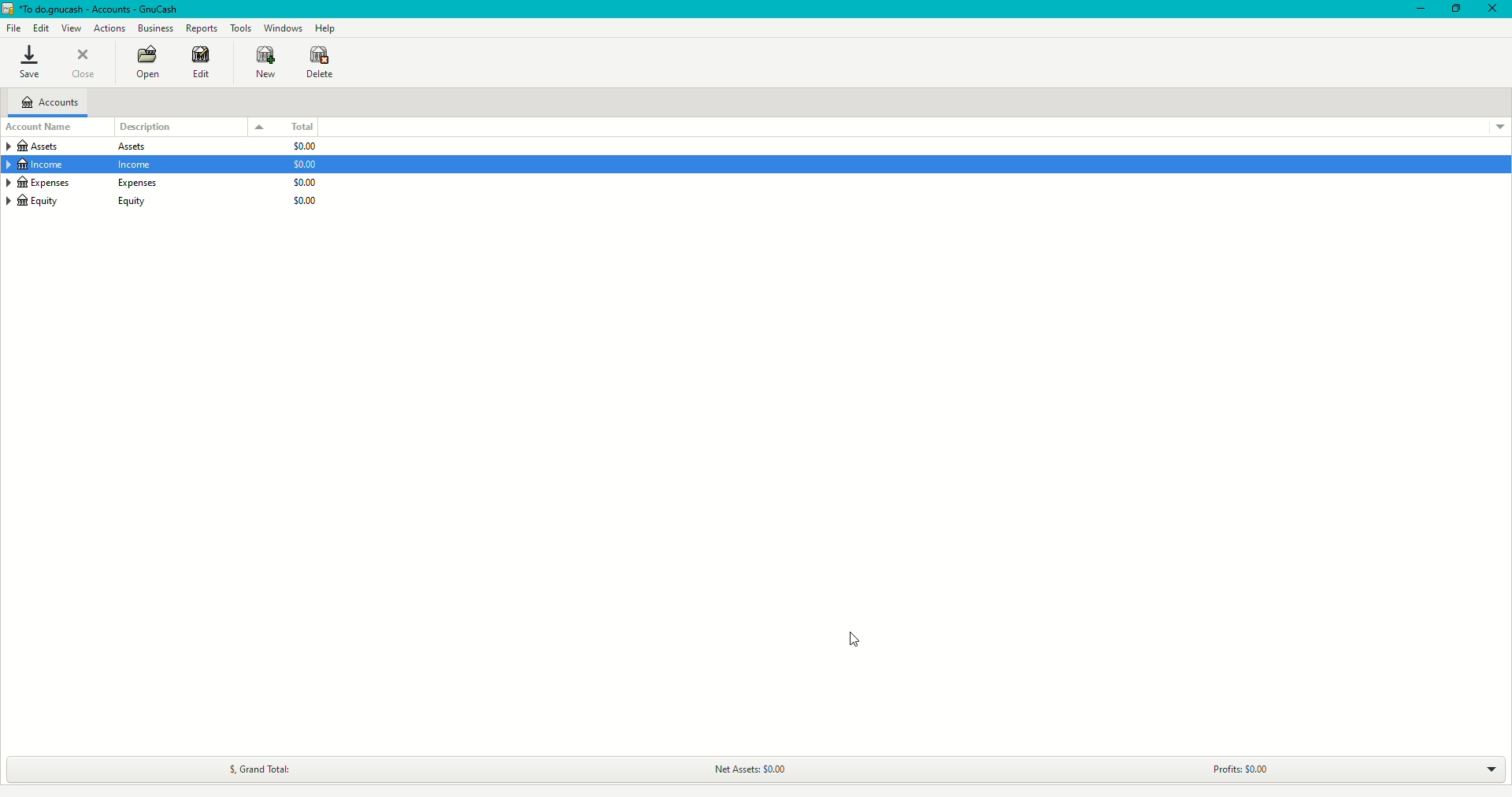 The width and height of the screenshot is (1512, 797). Describe the element at coordinates (1452, 9) in the screenshot. I see `Restore` at that location.